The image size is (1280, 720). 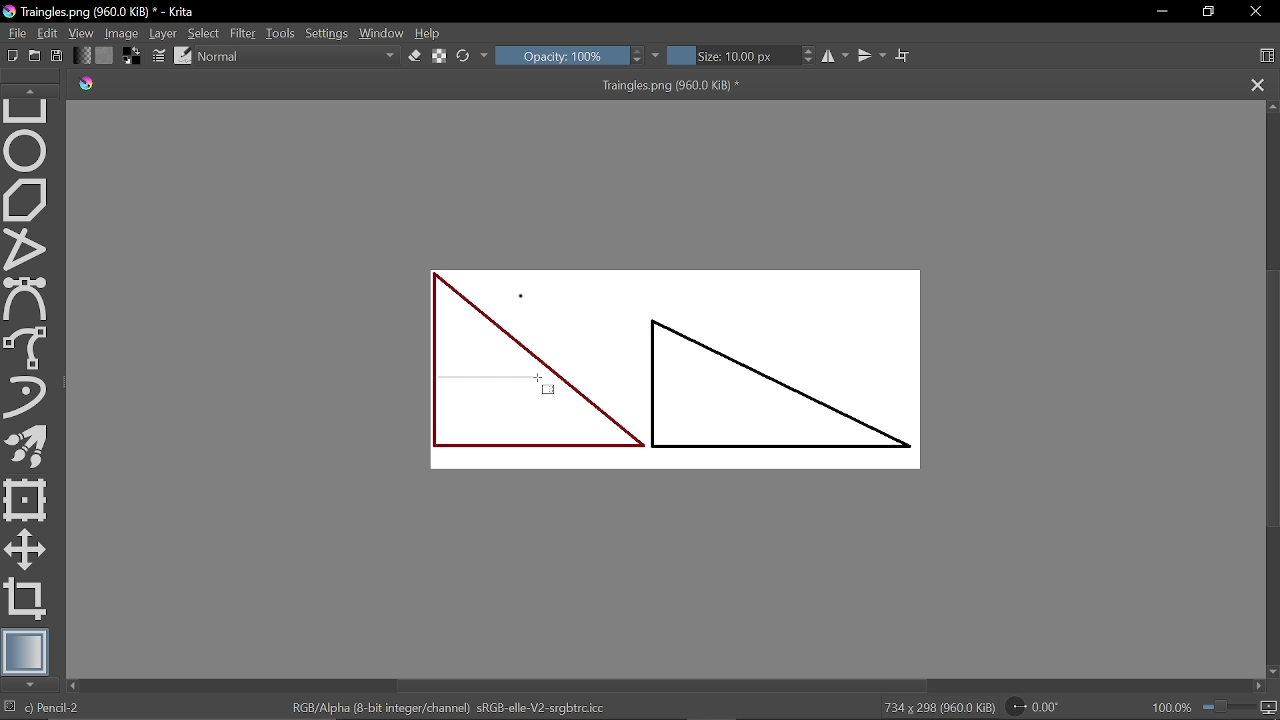 What do you see at coordinates (1272, 107) in the screenshot?
I see `Move up` at bounding box center [1272, 107].